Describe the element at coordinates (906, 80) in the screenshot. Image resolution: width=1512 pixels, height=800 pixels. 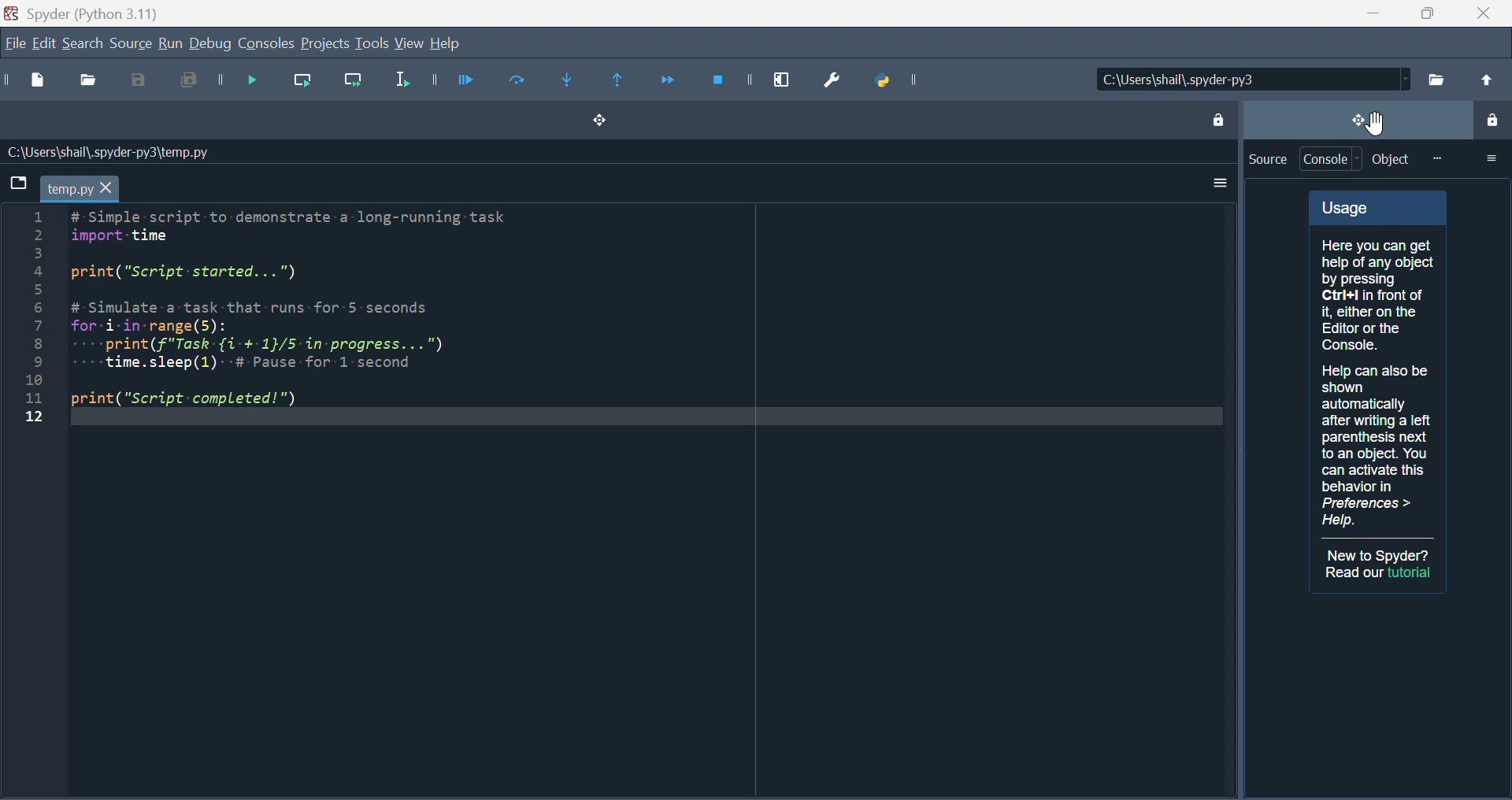
I see `Python path manager` at that location.